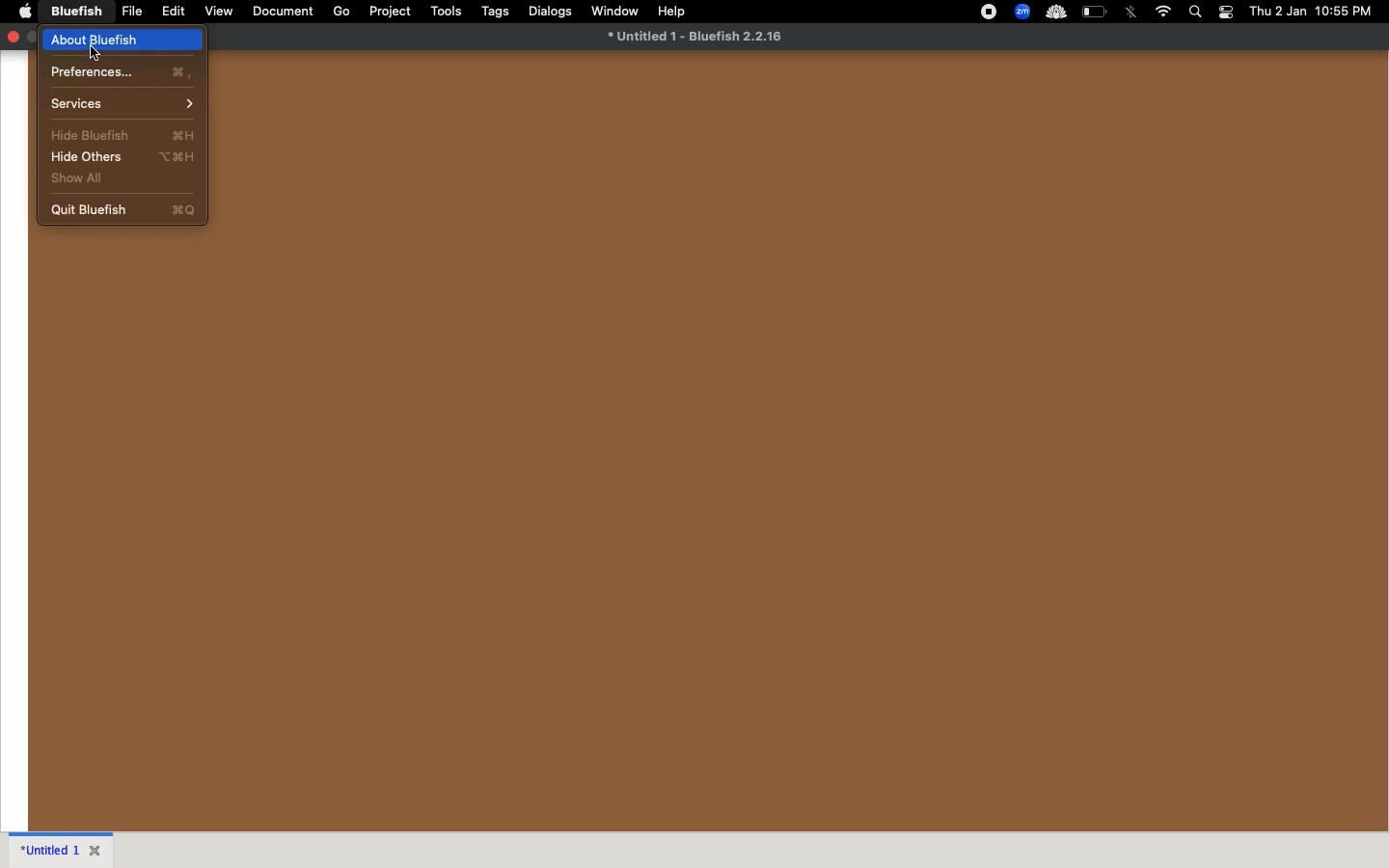 The image size is (1389, 868). Describe the element at coordinates (122, 157) in the screenshot. I see `hide others` at that location.